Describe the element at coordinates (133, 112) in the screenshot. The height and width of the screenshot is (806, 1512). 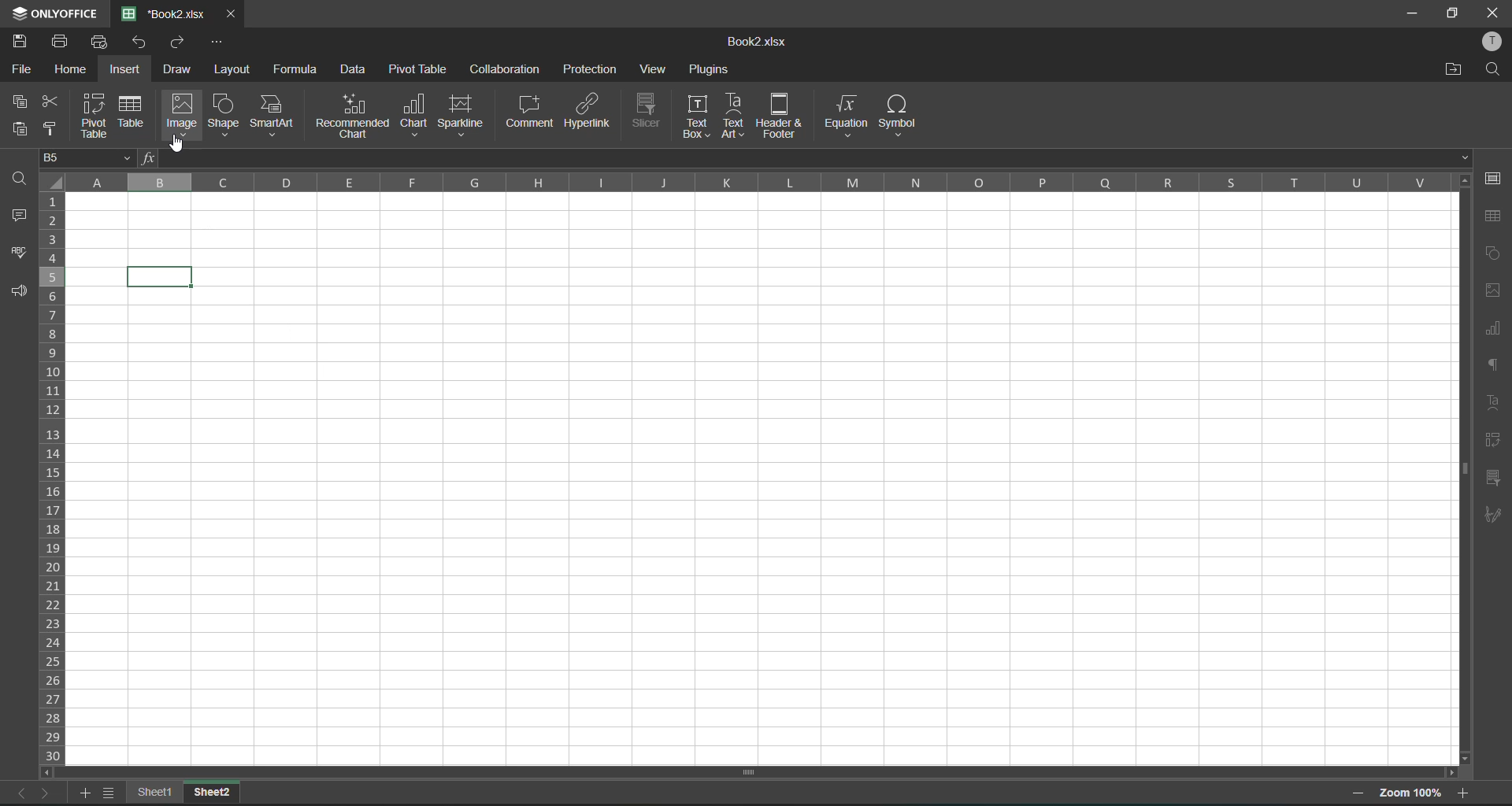
I see `table` at that location.